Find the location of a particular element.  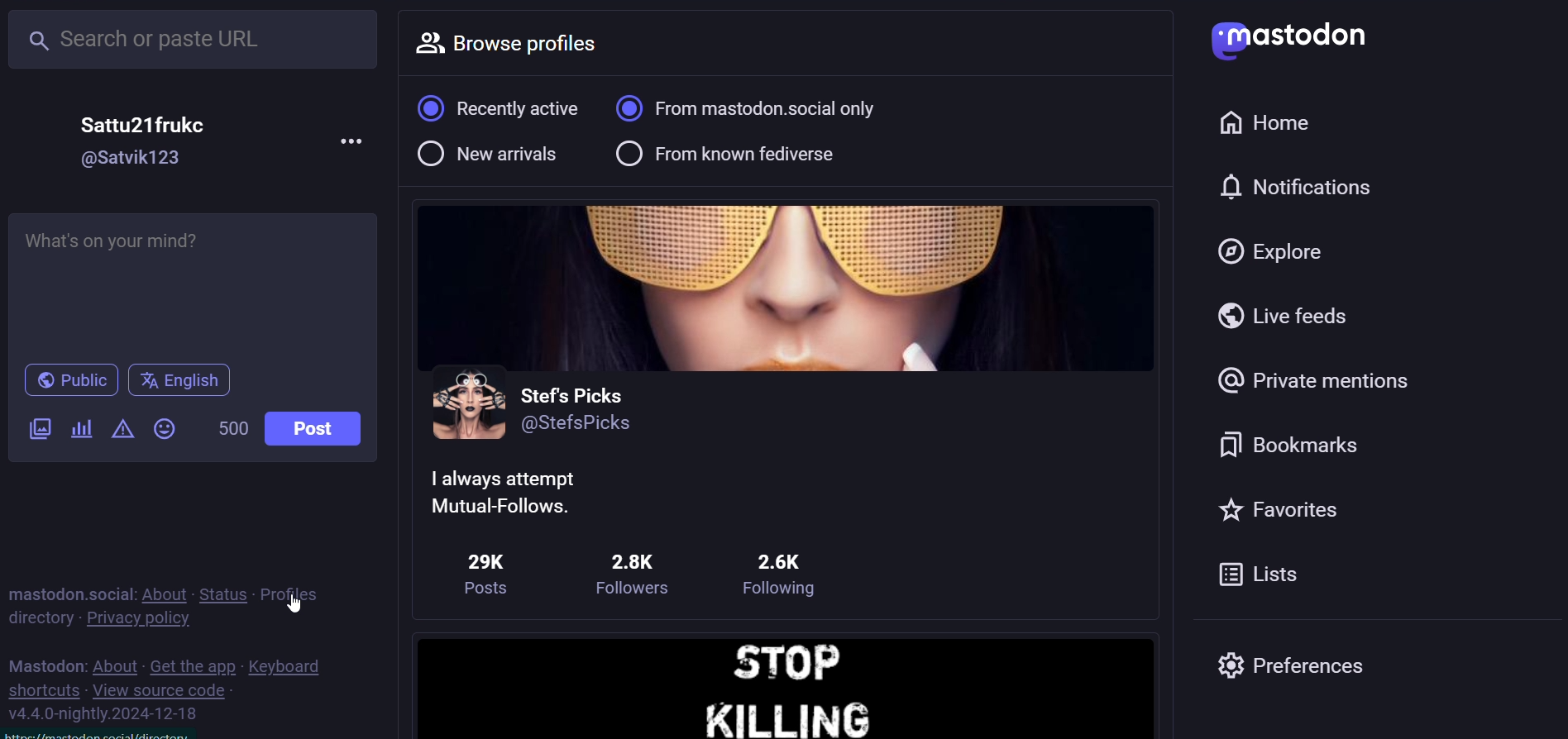

mastodon social is located at coordinates (67, 591).